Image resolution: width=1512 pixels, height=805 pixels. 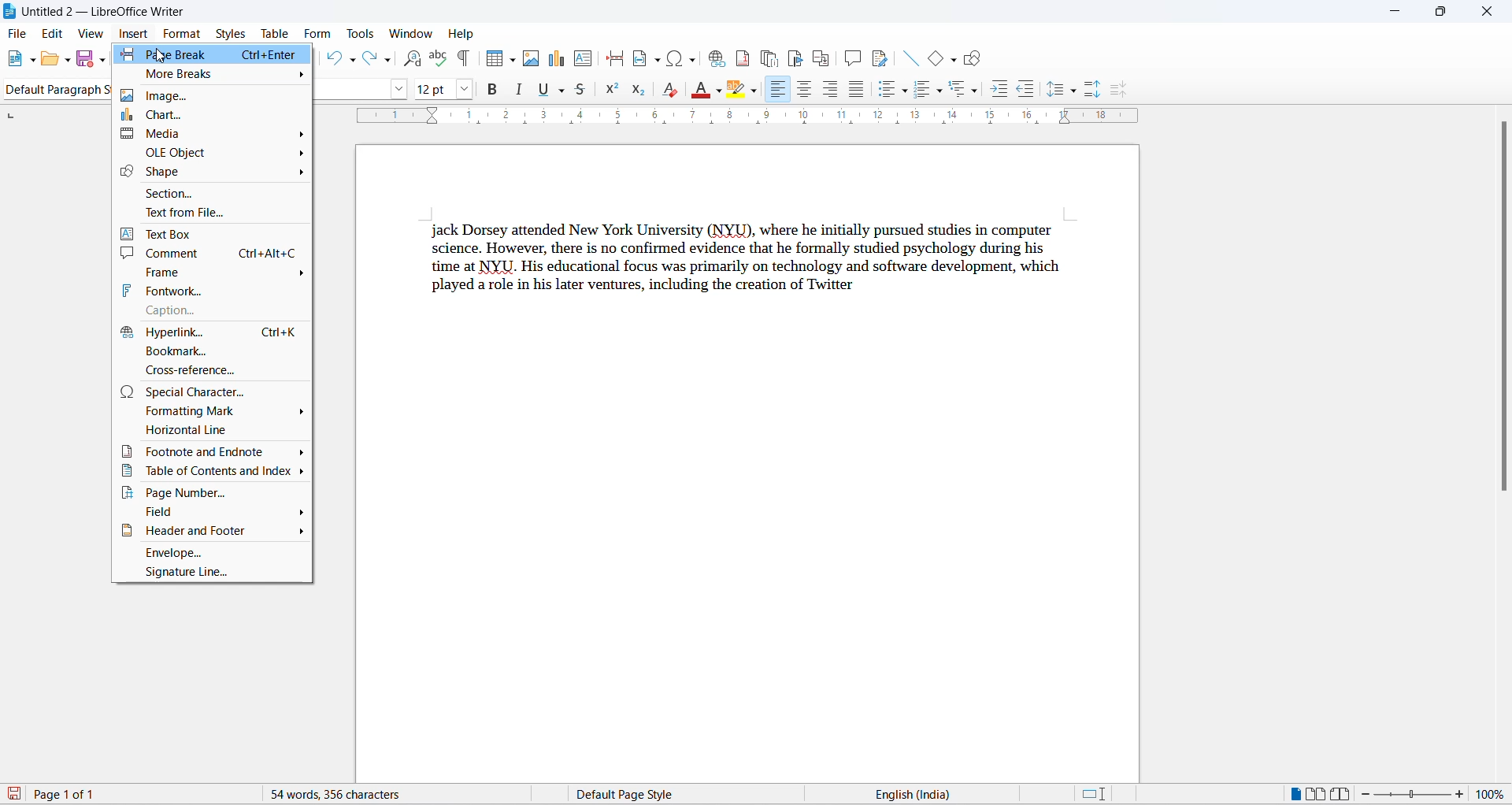 What do you see at coordinates (183, 33) in the screenshot?
I see `format` at bounding box center [183, 33].